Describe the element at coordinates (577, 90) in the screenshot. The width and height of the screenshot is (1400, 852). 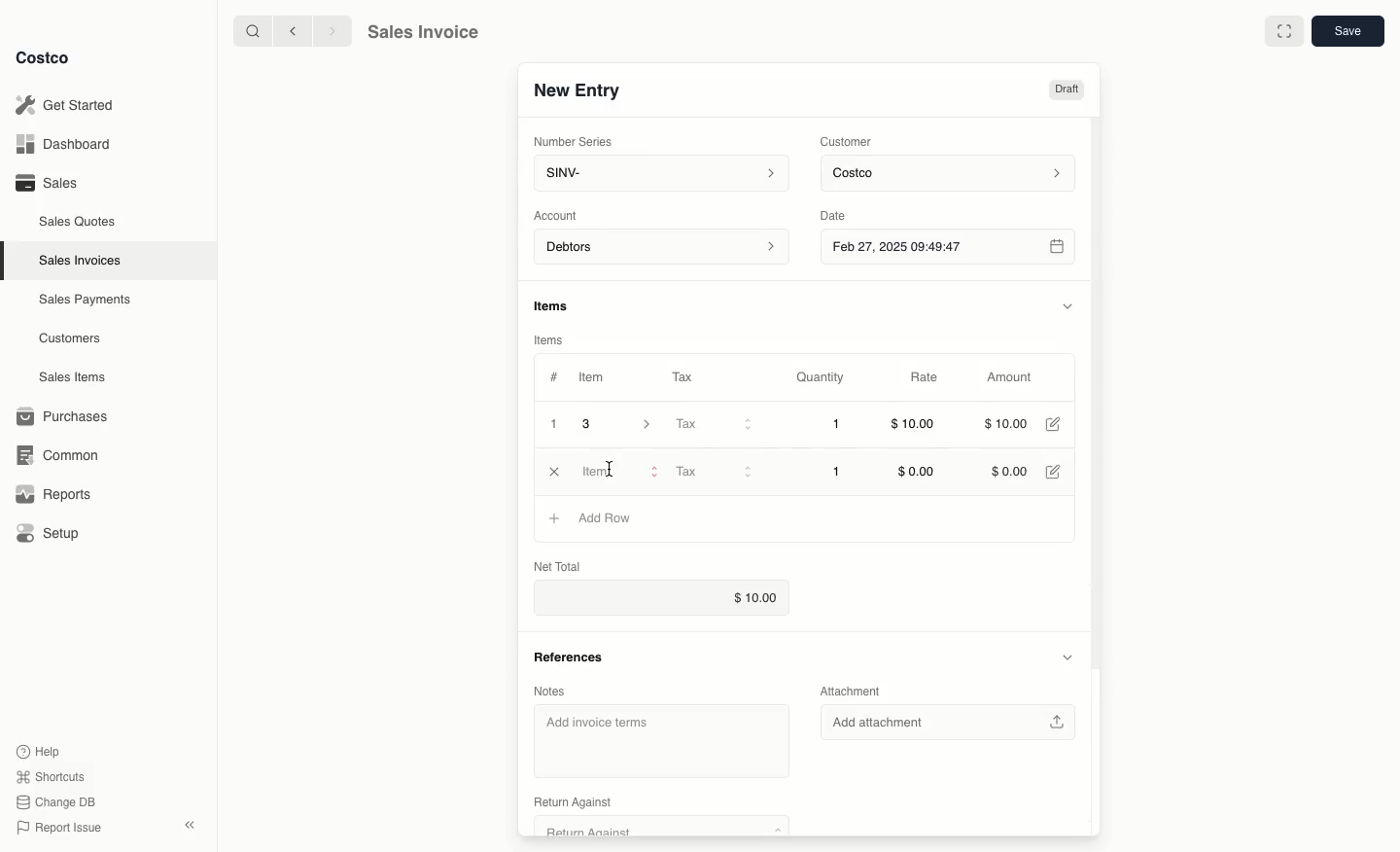
I see `New Entry` at that location.